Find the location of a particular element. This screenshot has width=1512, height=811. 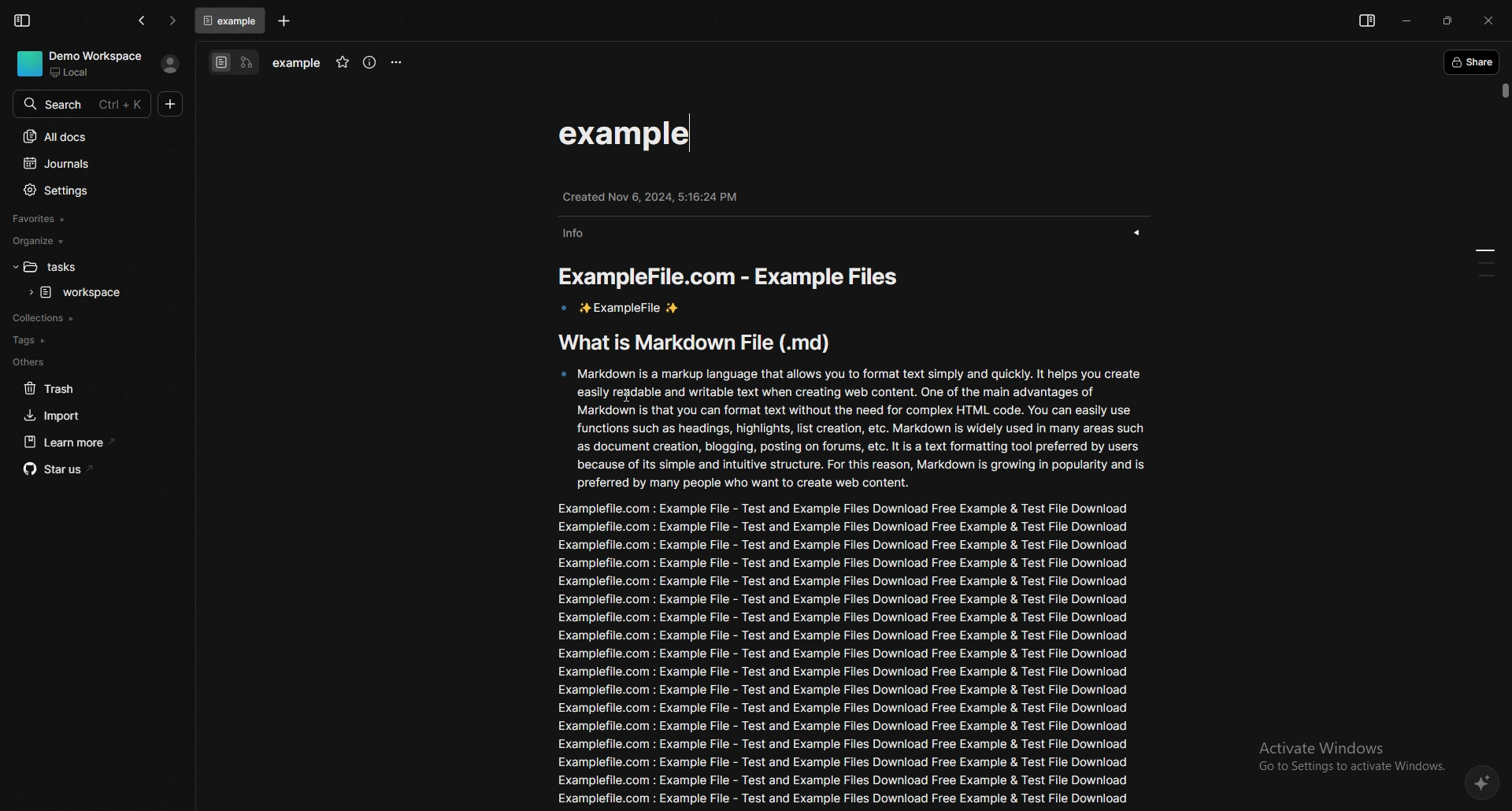

show is located at coordinates (1137, 232).